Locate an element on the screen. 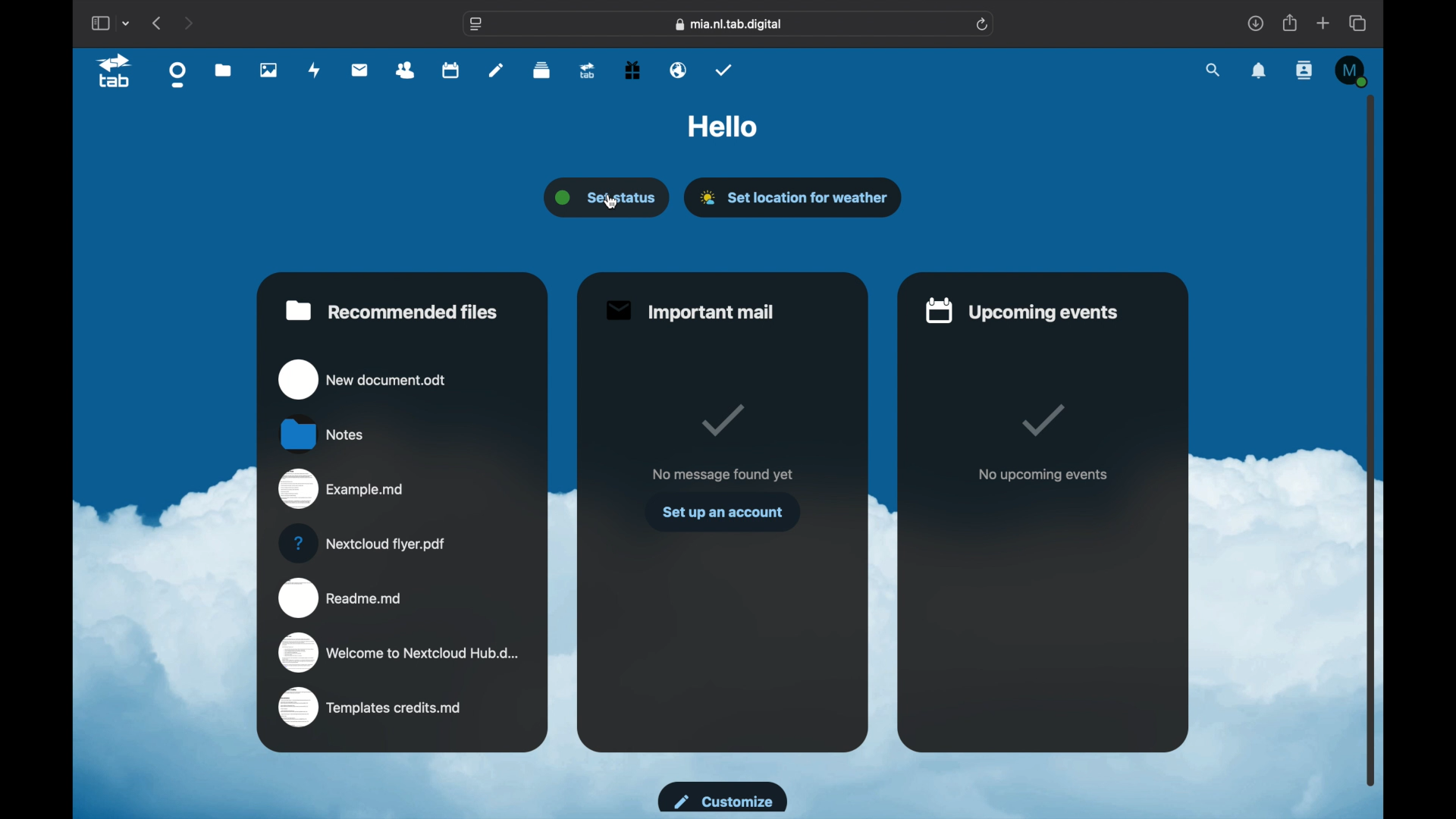 This screenshot has width=1456, height=819. set up an account is located at coordinates (723, 513).